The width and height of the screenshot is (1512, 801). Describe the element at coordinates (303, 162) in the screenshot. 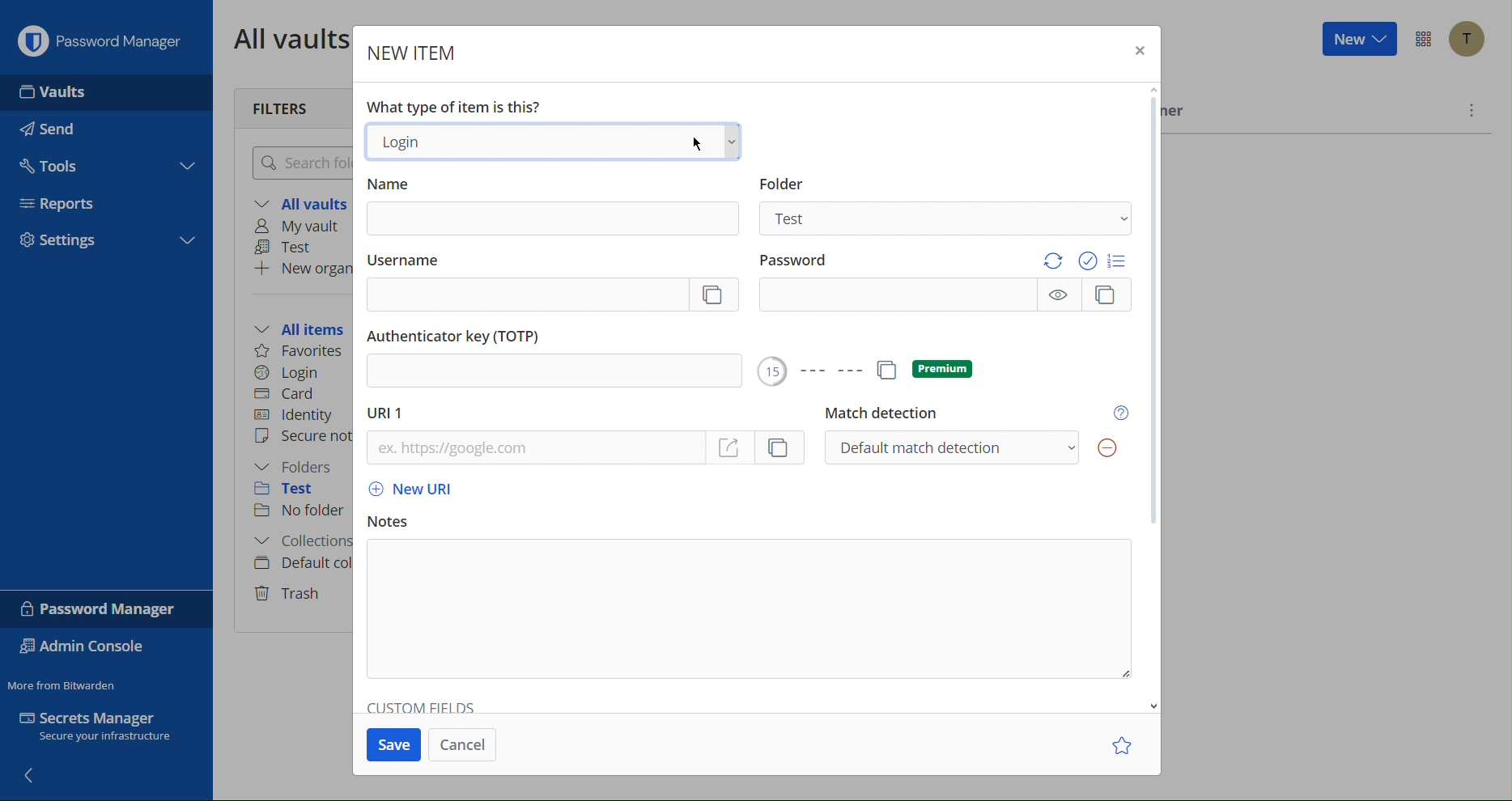

I see `Search folder` at that location.